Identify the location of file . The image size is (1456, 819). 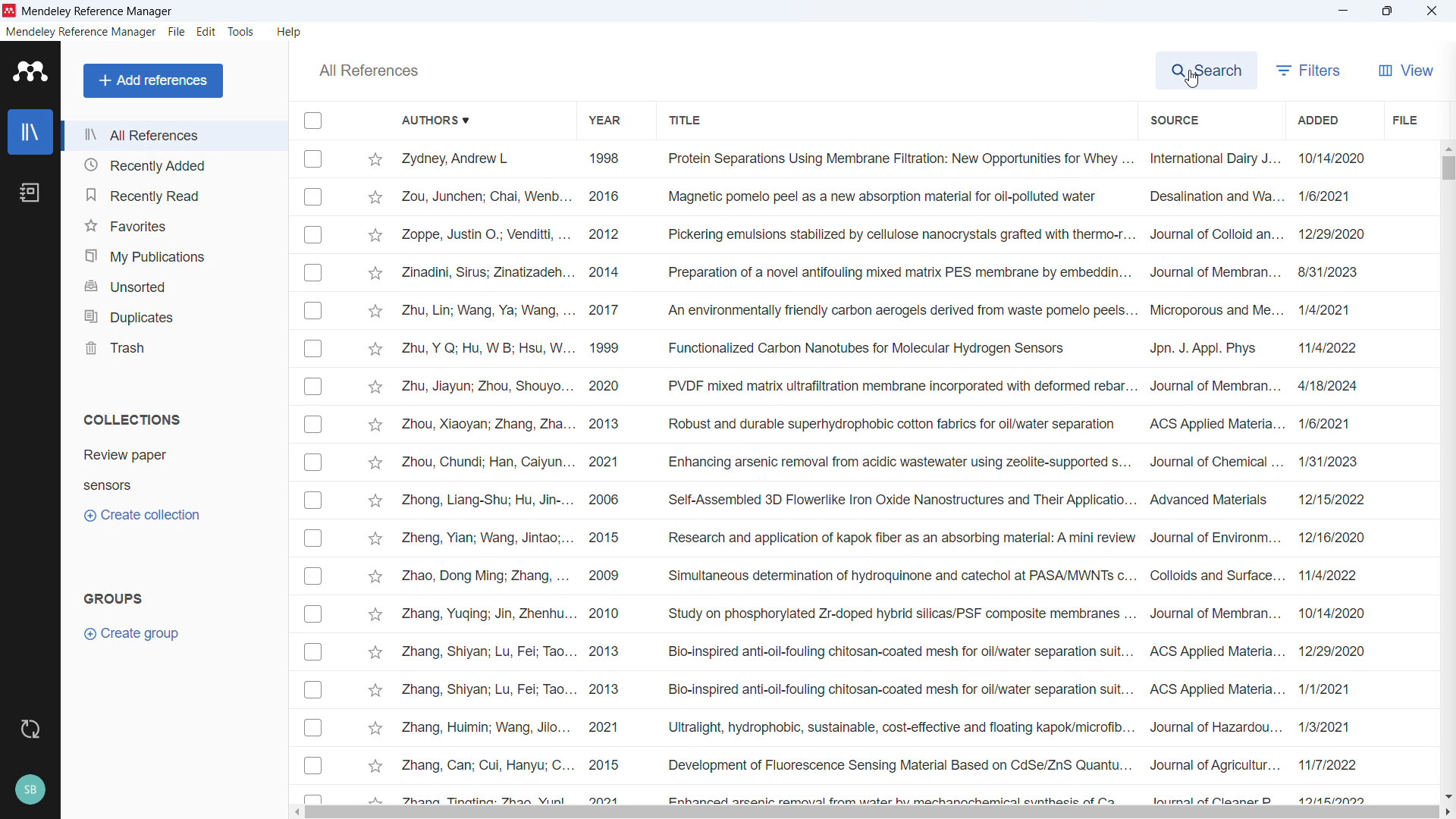
(1404, 119).